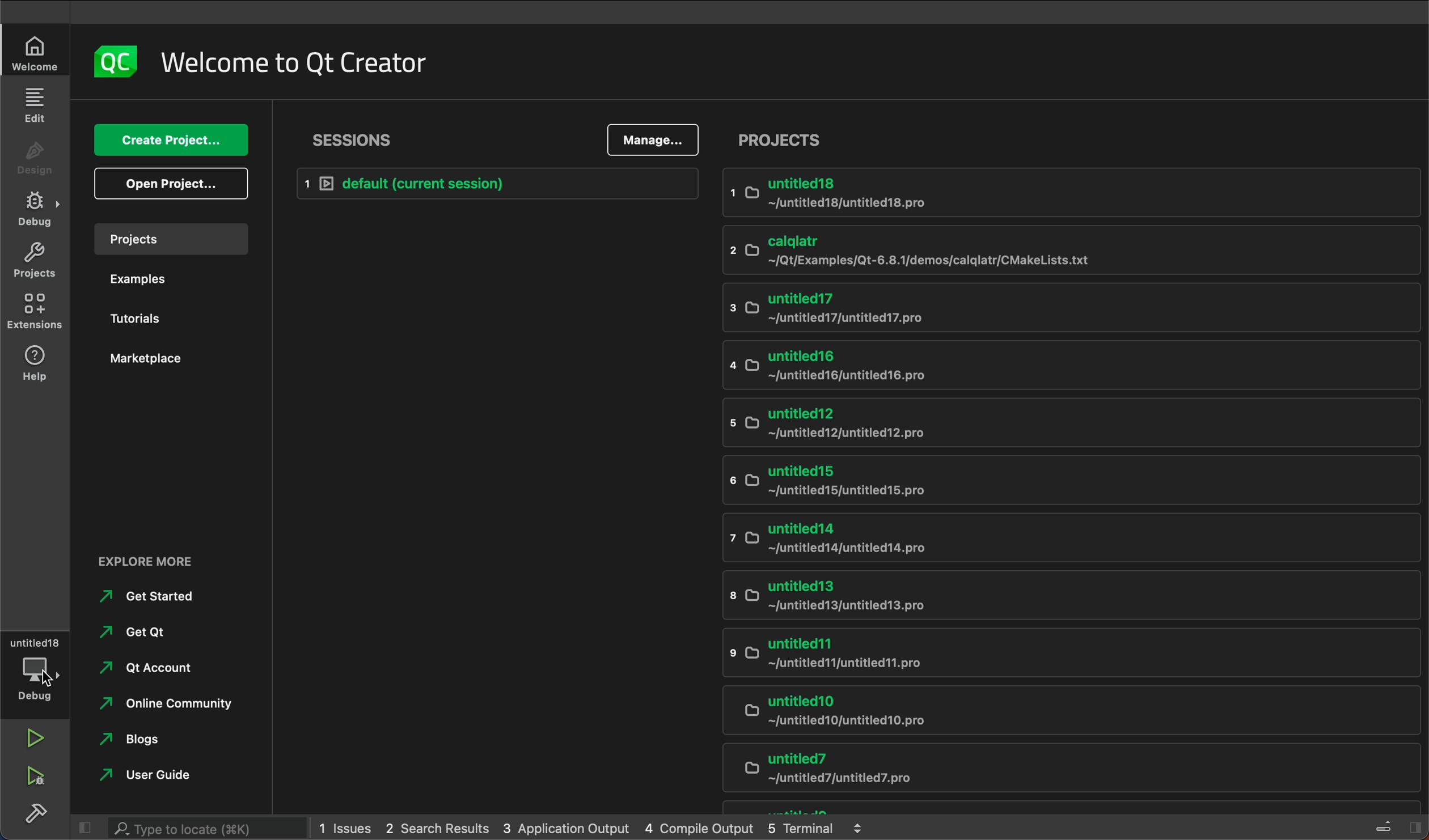 This screenshot has width=1429, height=840. Describe the element at coordinates (1051, 540) in the screenshot. I see `untitled14` at that location.